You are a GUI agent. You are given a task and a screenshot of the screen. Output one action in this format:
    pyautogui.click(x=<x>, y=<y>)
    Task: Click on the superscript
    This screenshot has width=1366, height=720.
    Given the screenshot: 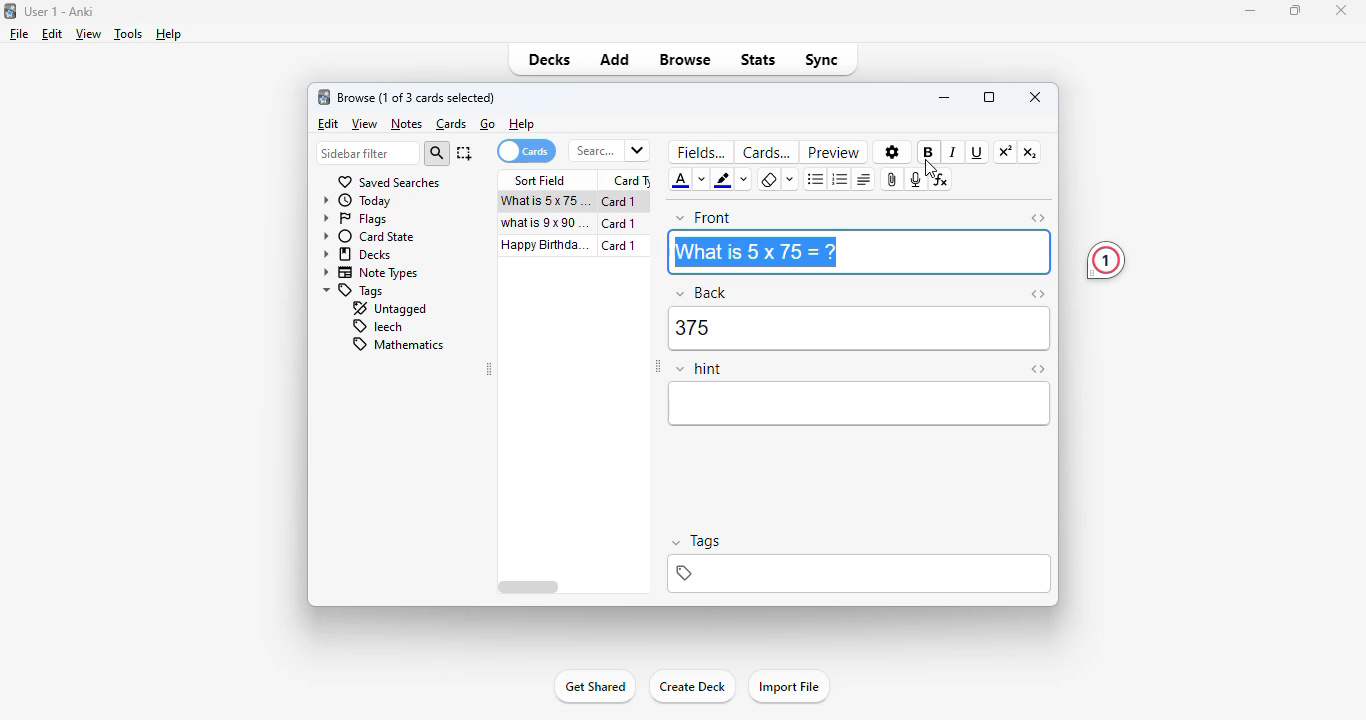 What is the action you would take?
    pyautogui.click(x=1006, y=152)
    